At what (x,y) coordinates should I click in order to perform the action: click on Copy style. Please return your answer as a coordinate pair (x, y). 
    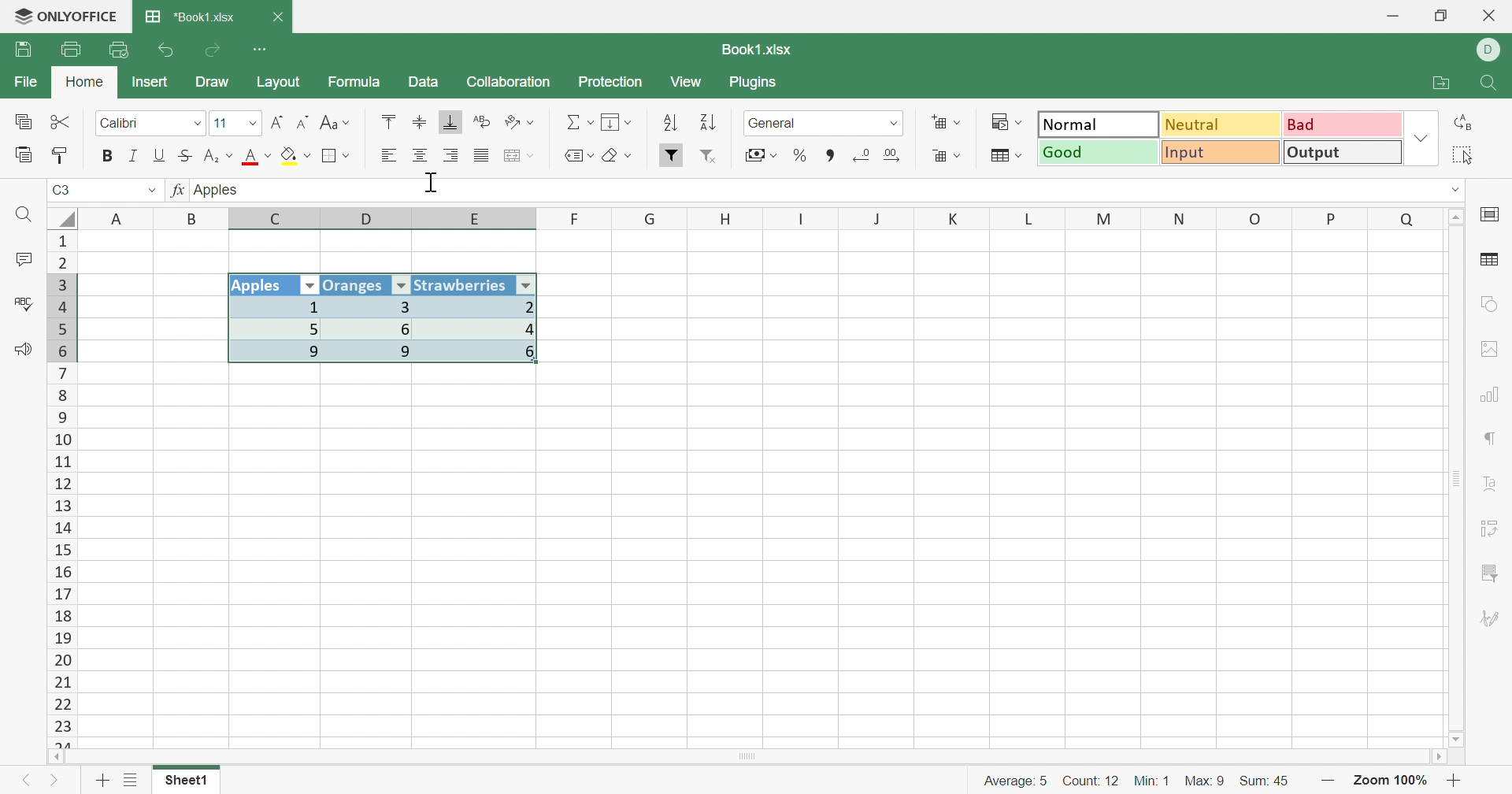
    Looking at the image, I should click on (62, 154).